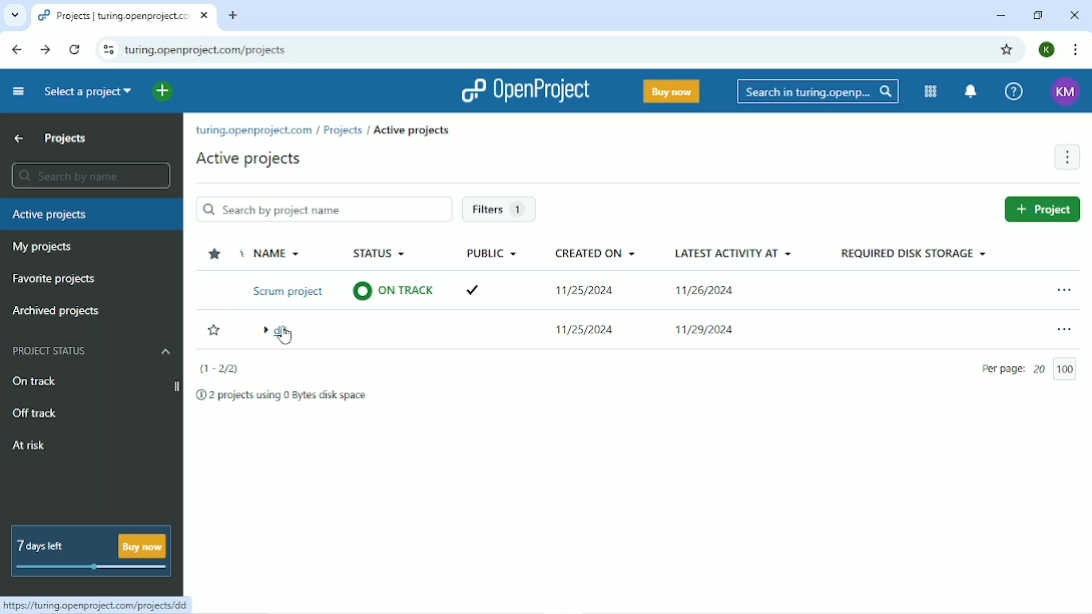 This screenshot has width=1092, height=614. I want to click on Restore down, so click(1037, 15).